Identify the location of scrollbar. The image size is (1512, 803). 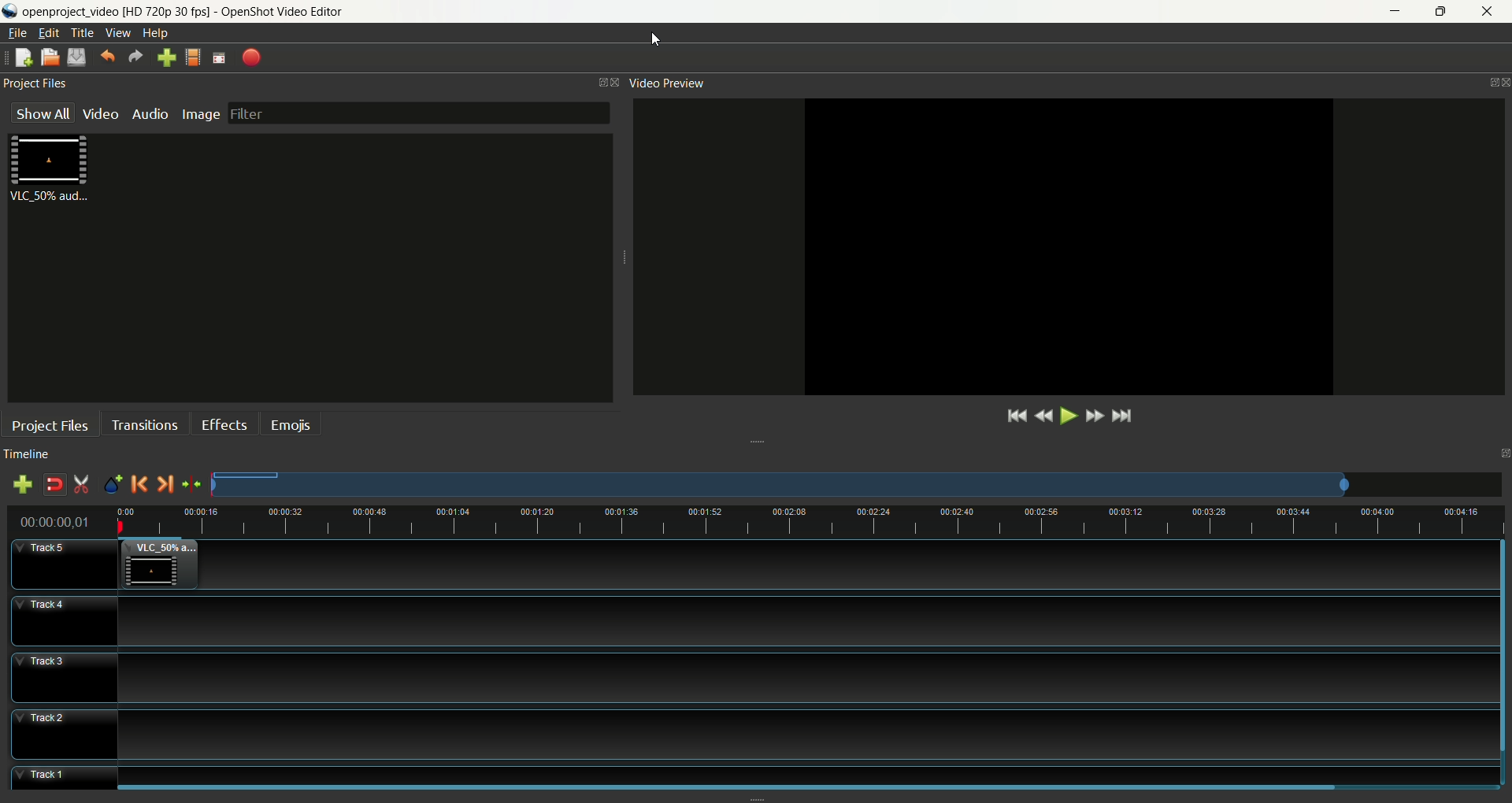
(756, 788).